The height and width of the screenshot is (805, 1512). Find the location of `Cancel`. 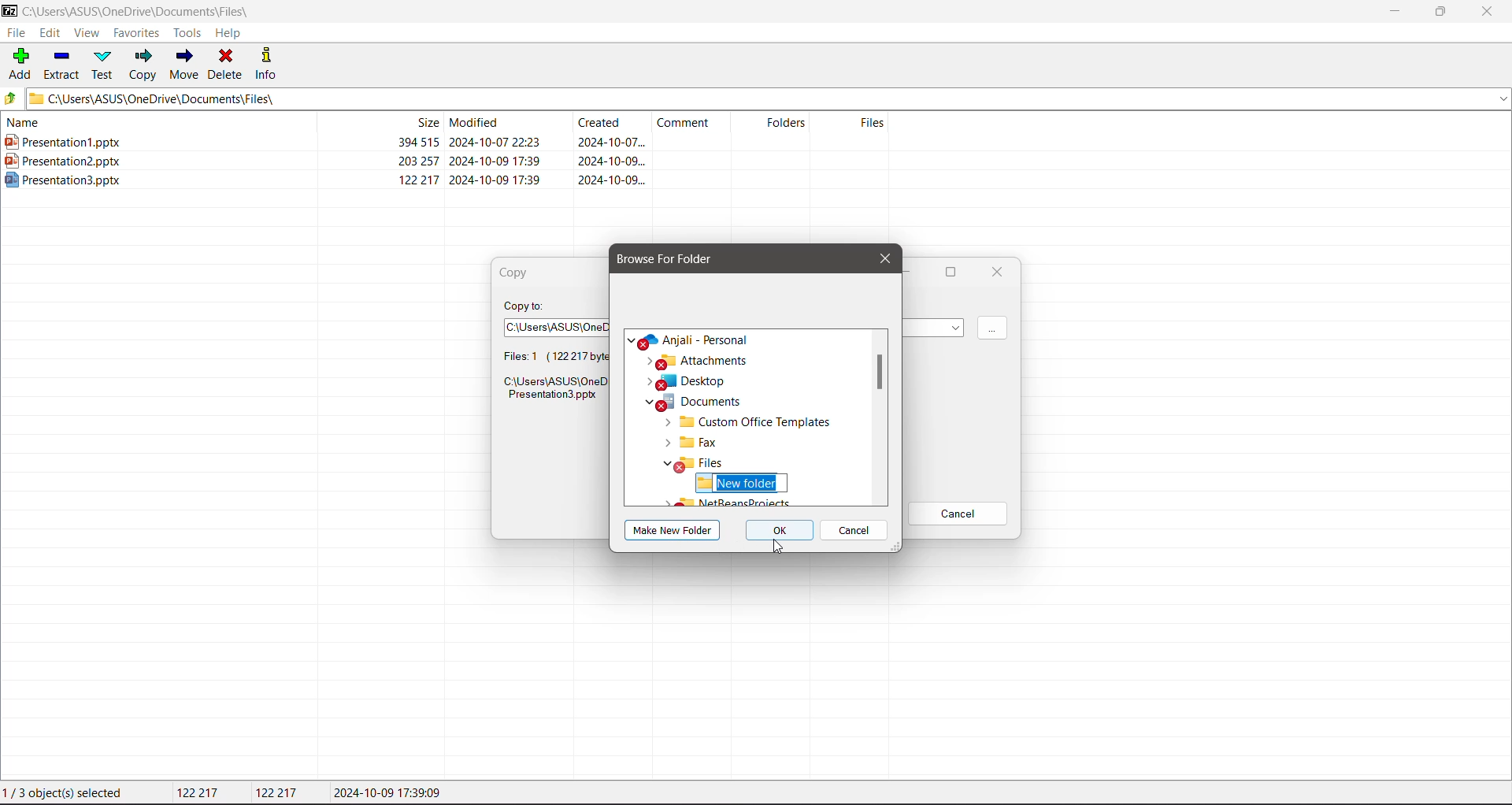

Cancel is located at coordinates (856, 532).